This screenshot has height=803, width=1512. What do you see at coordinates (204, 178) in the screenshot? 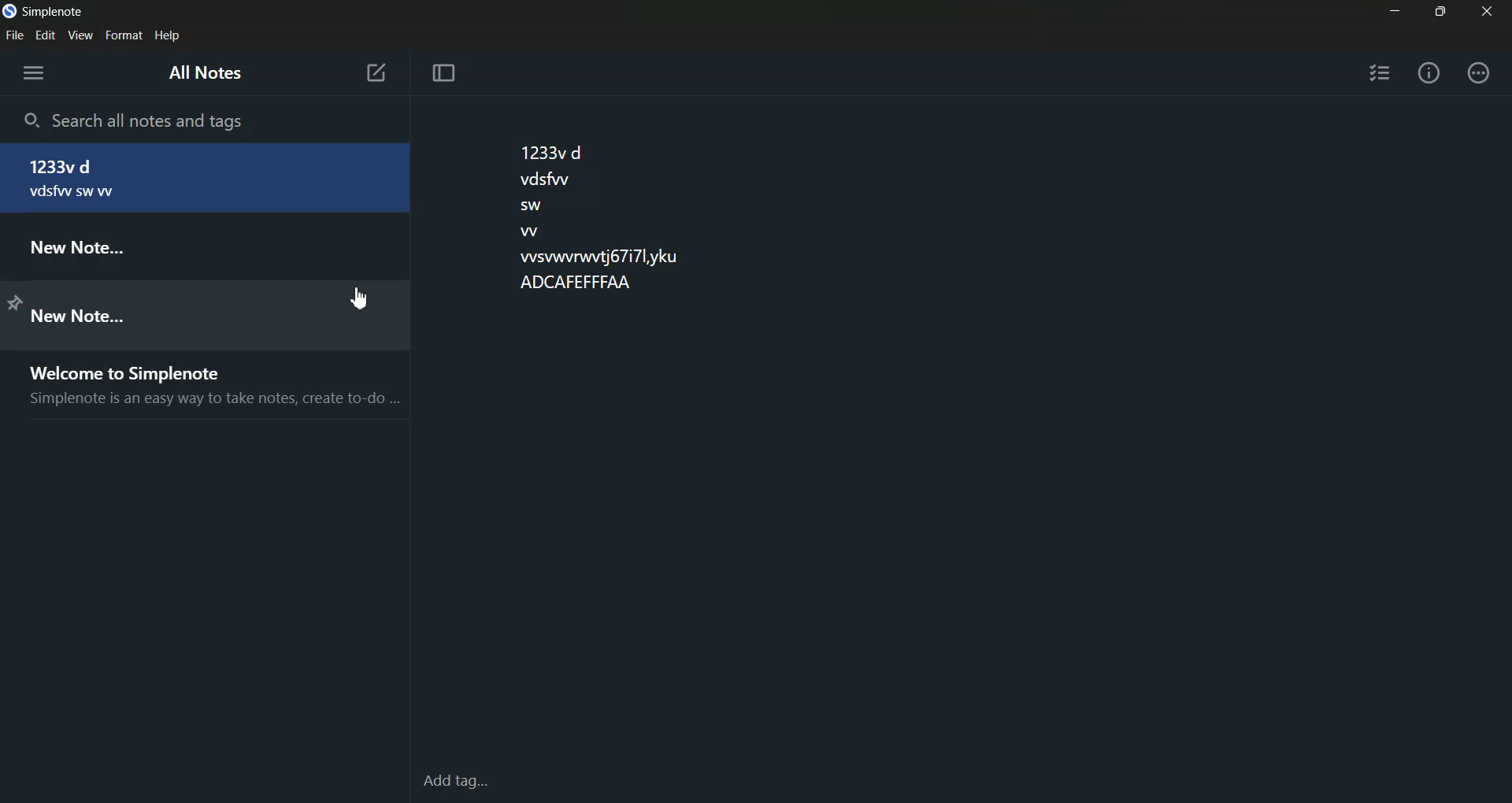
I see `Note file` at bounding box center [204, 178].